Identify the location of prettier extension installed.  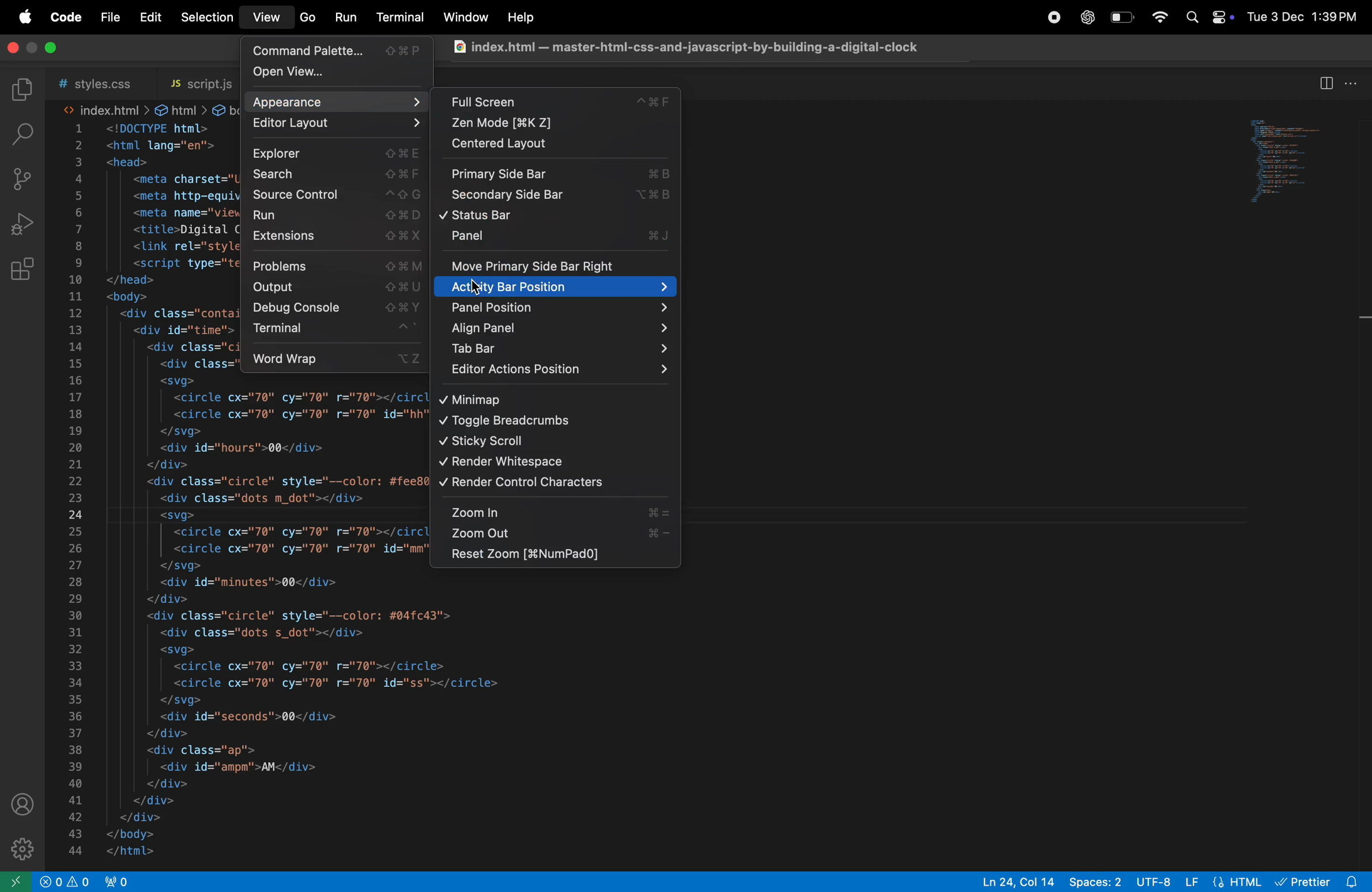
(1321, 881).